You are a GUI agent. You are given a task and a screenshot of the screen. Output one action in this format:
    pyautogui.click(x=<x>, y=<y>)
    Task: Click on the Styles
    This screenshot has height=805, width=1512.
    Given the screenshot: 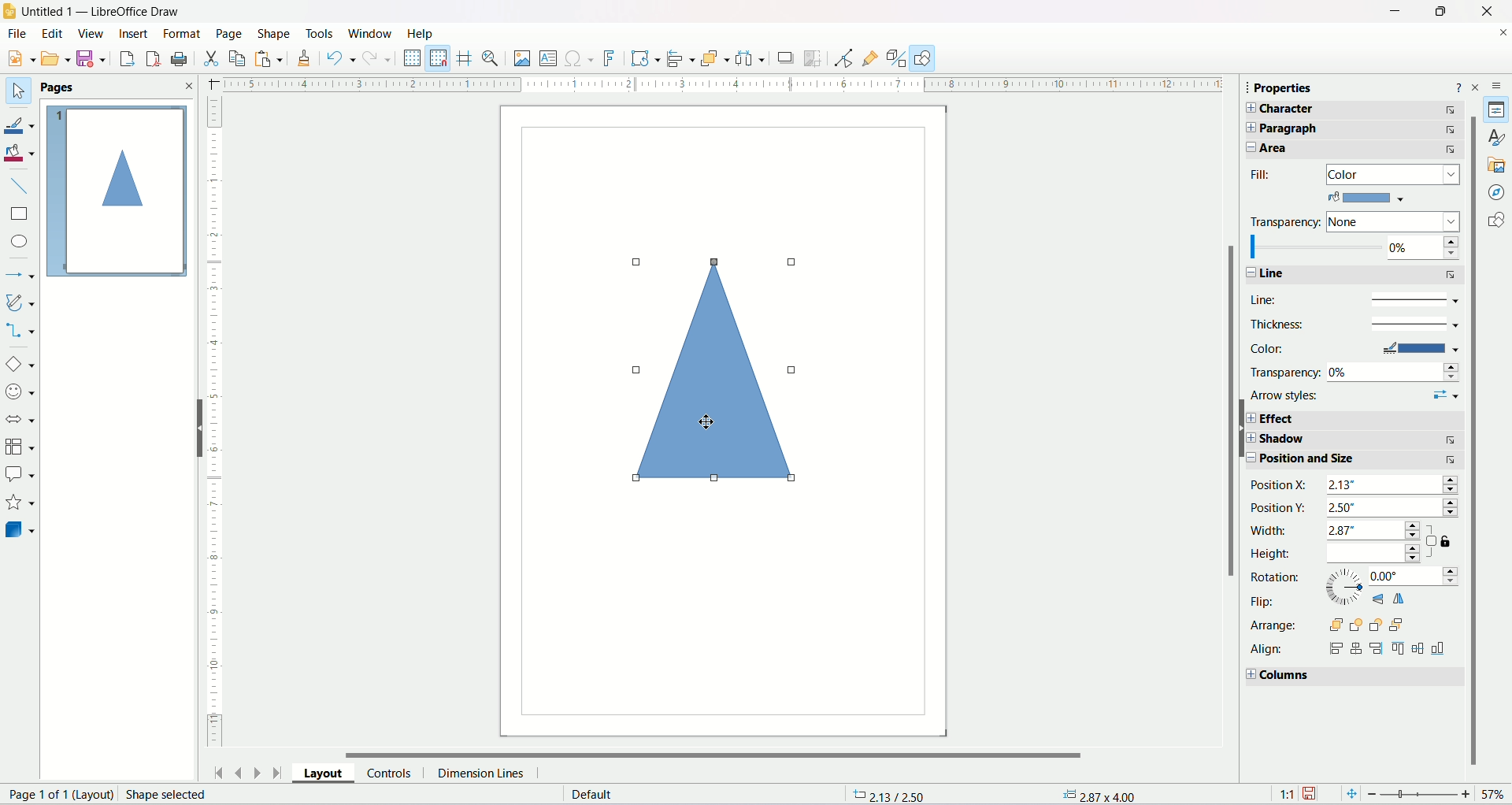 What is the action you would take?
    pyautogui.click(x=1498, y=138)
    